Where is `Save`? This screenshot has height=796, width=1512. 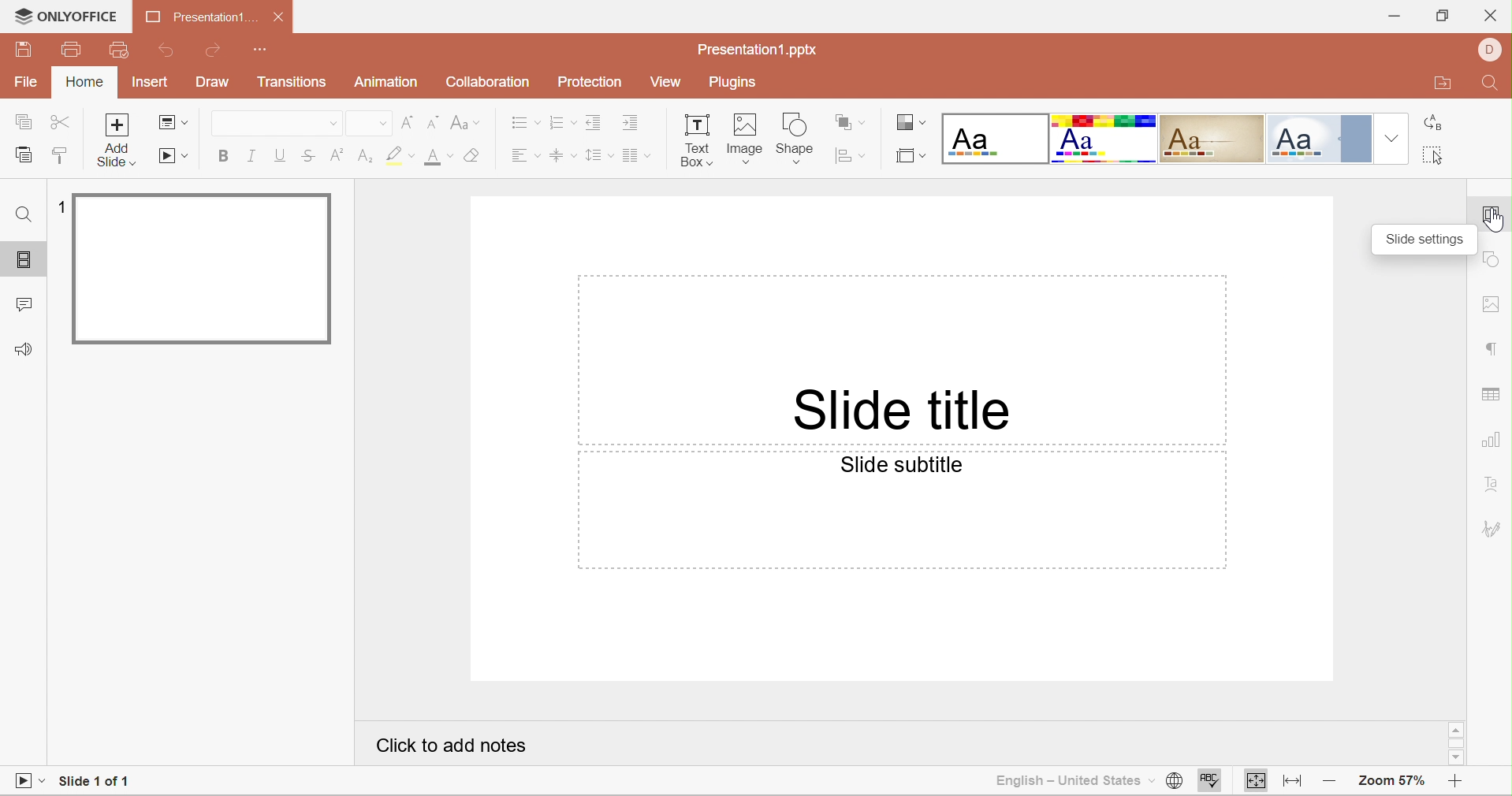 Save is located at coordinates (24, 48).